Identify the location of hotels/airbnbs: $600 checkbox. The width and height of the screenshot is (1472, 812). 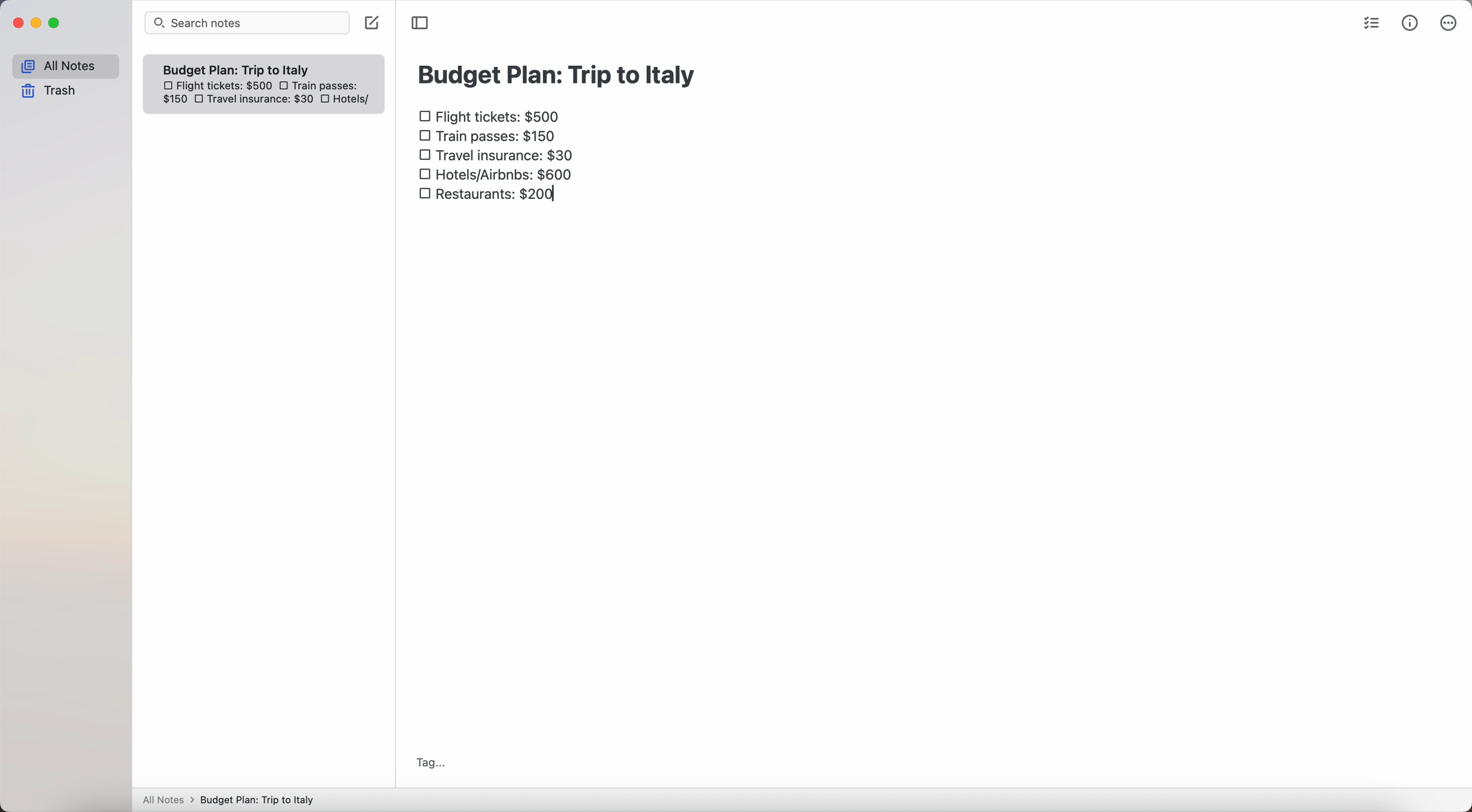
(501, 172).